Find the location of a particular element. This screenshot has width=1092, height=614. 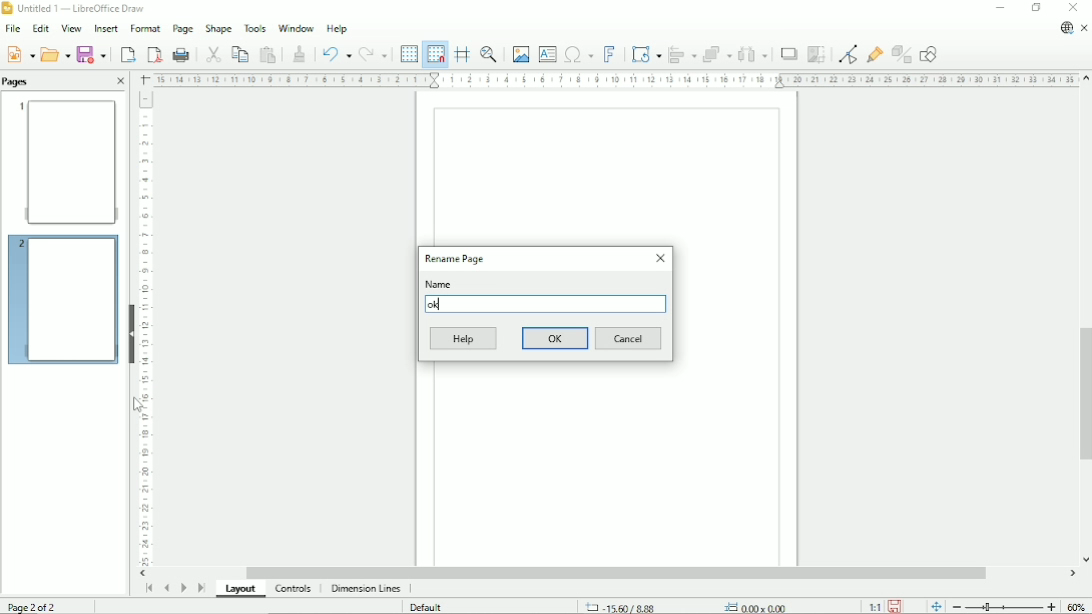

OK is located at coordinates (556, 338).